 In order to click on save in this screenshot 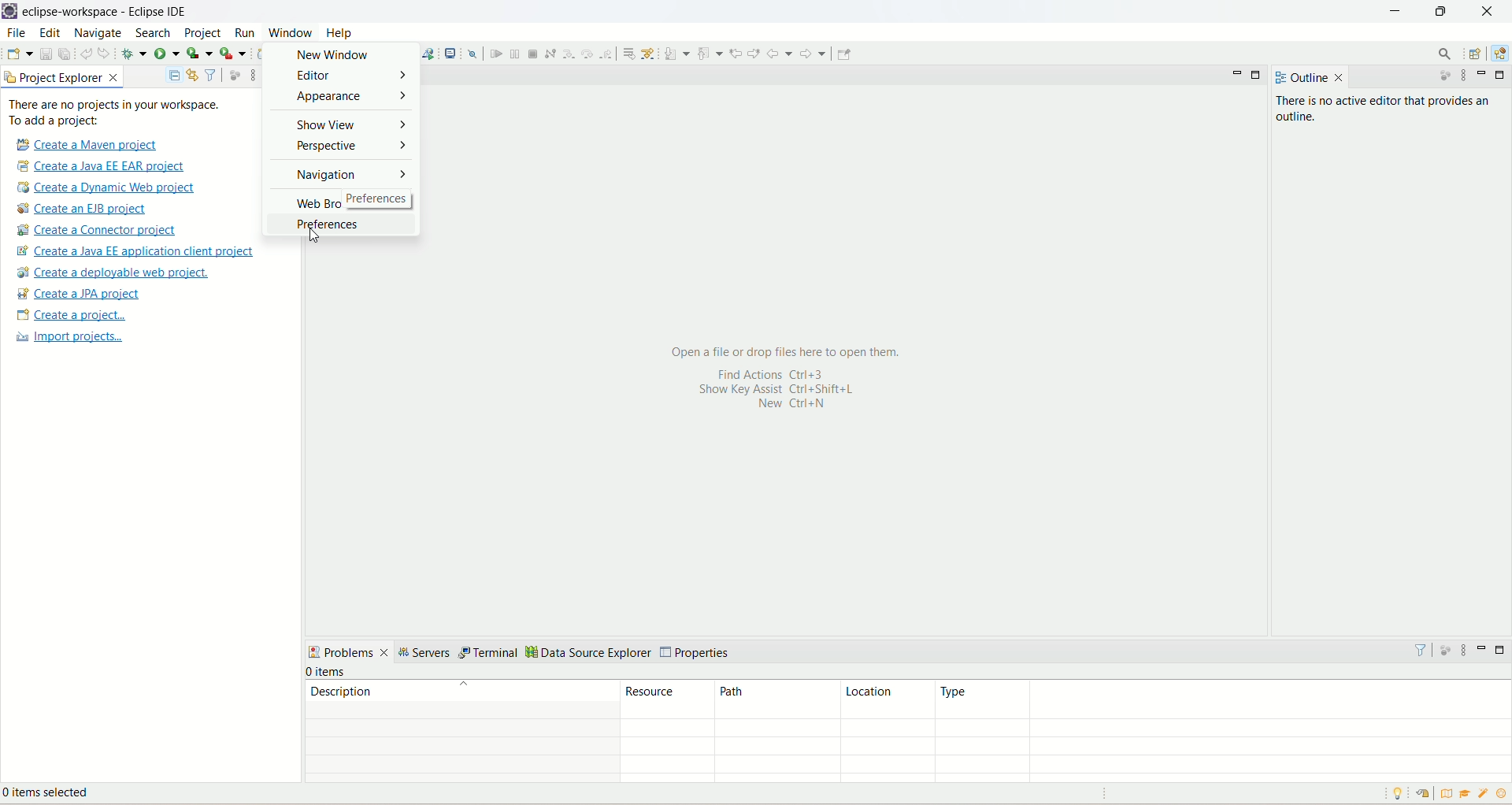, I will do `click(46, 53)`.